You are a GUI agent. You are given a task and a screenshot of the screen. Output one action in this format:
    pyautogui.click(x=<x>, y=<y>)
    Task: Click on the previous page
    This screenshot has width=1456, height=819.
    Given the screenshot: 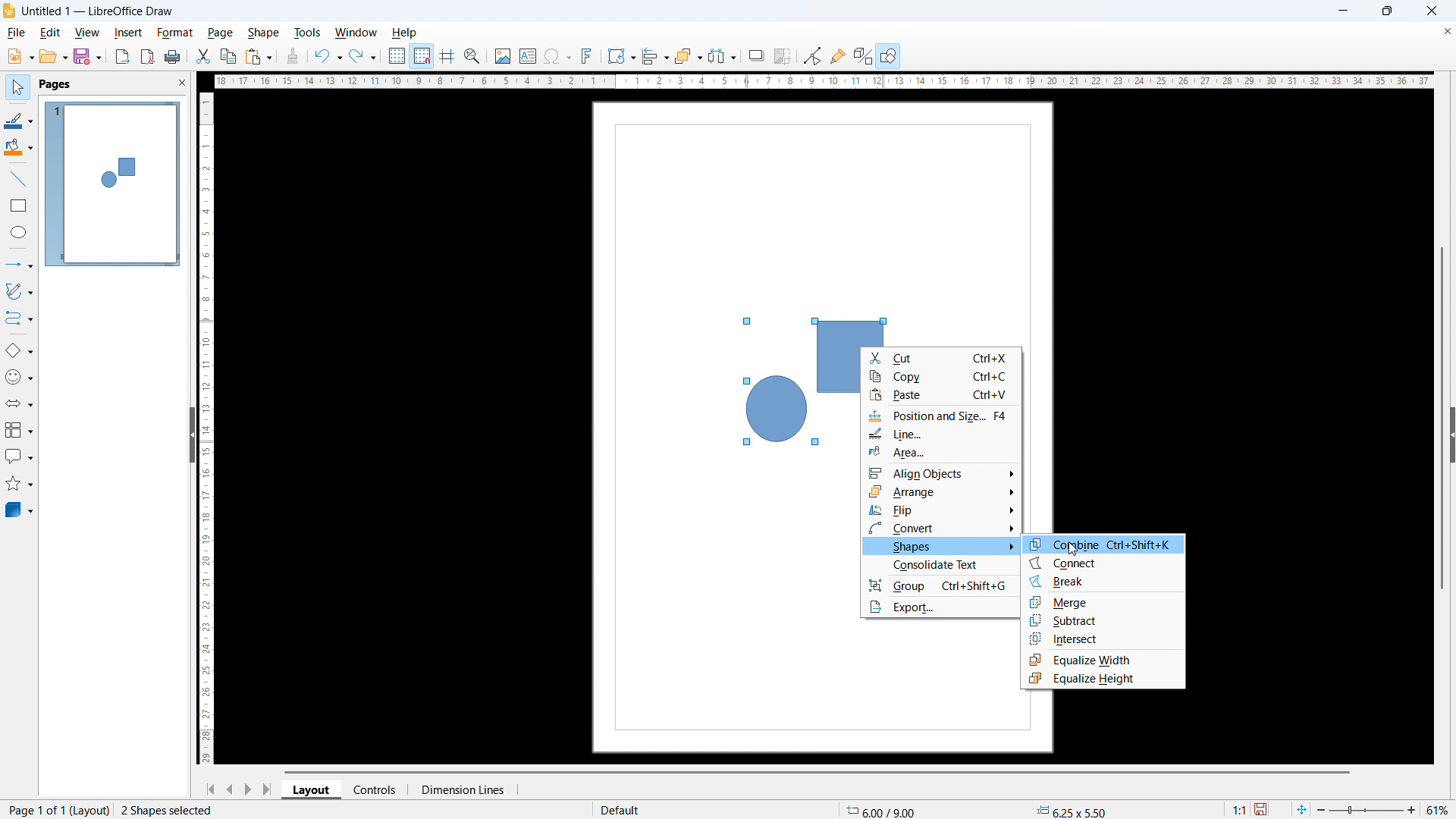 What is the action you would take?
    pyautogui.click(x=231, y=789)
    